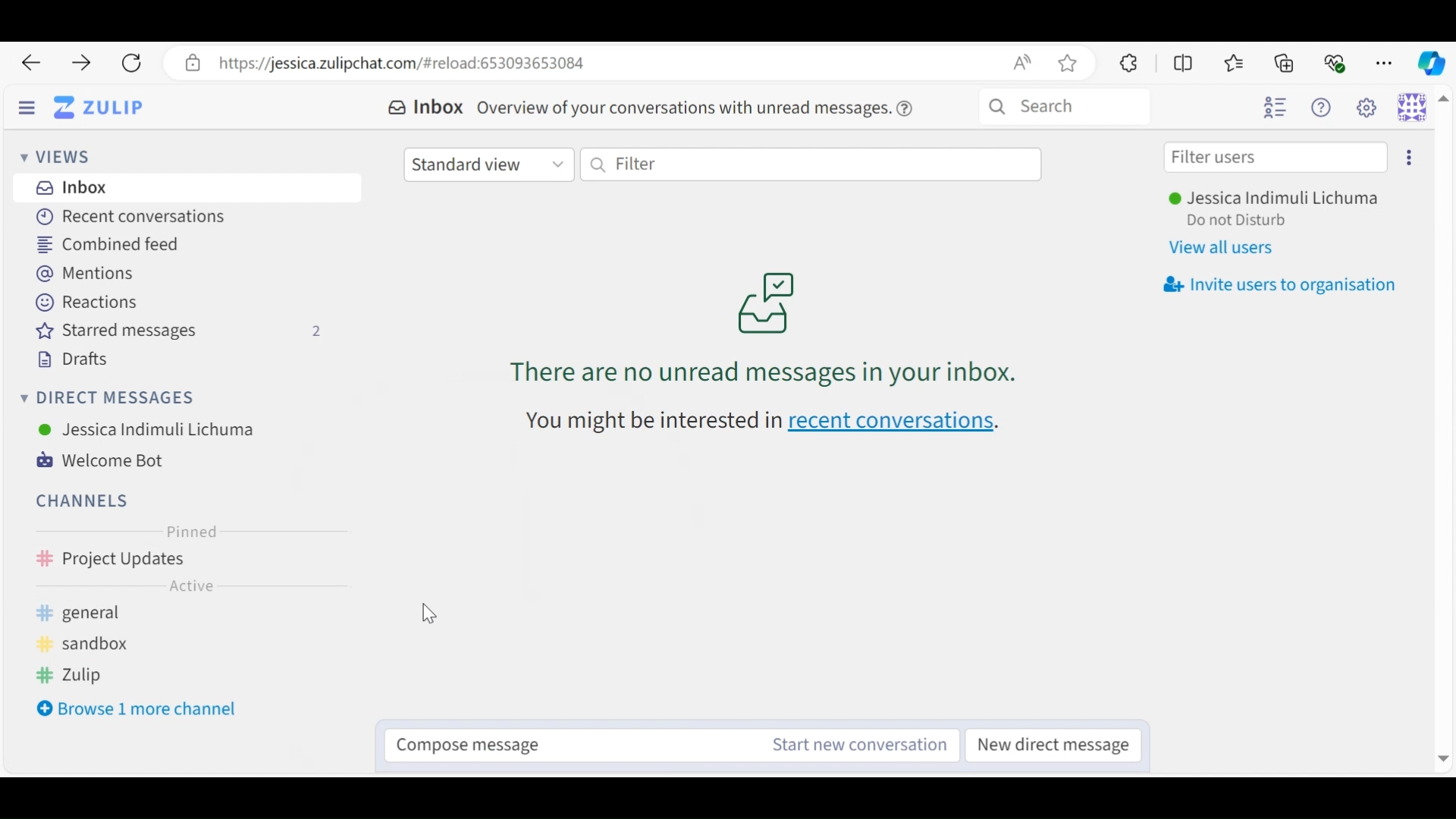 This screenshot has width=1456, height=819. What do you see at coordinates (80, 499) in the screenshot?
I see `Channels` at bounding box center [80, 499].